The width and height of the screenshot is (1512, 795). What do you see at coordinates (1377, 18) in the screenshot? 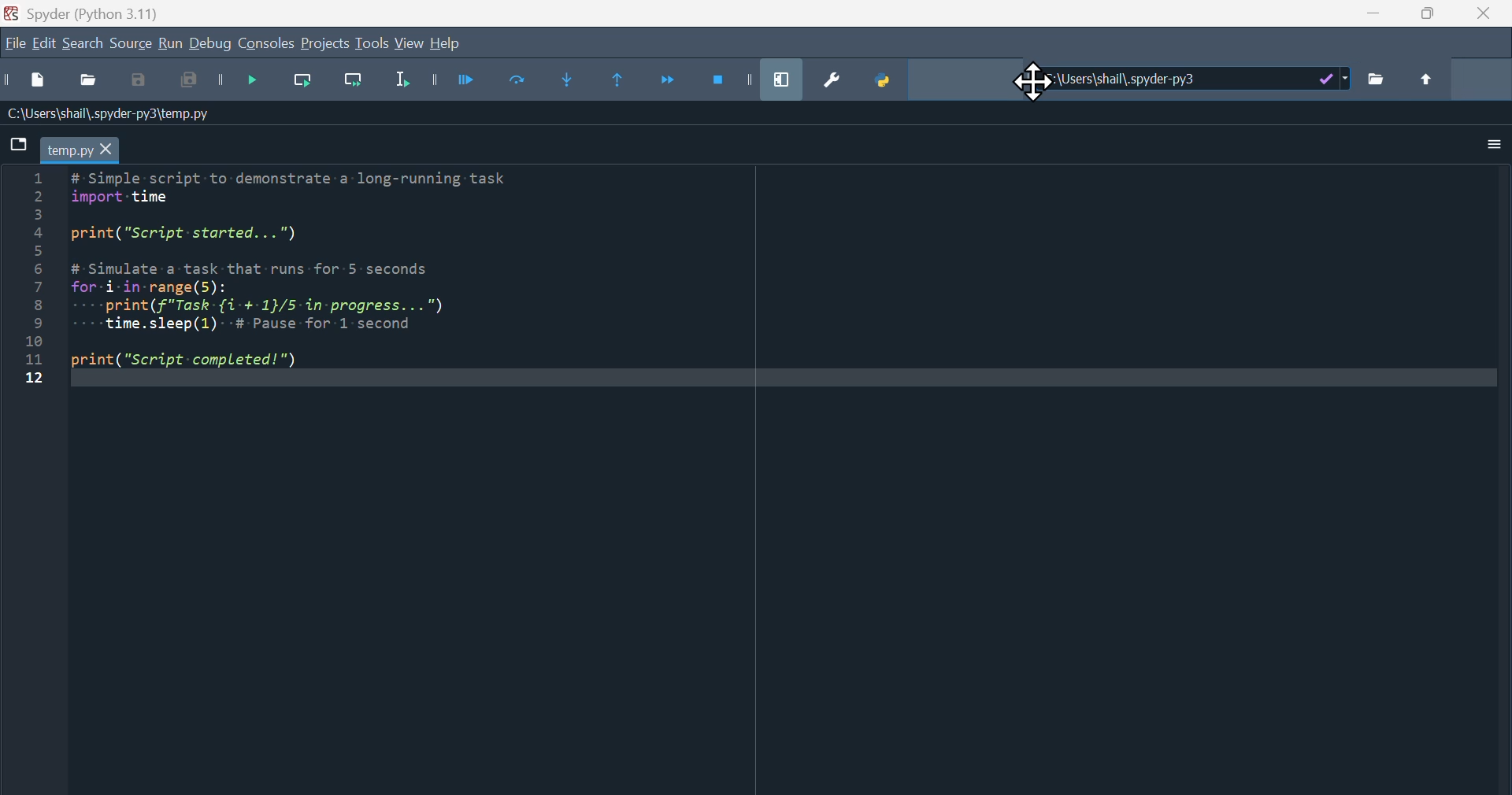
I see `minimise` at bounding box center [1377, 18].